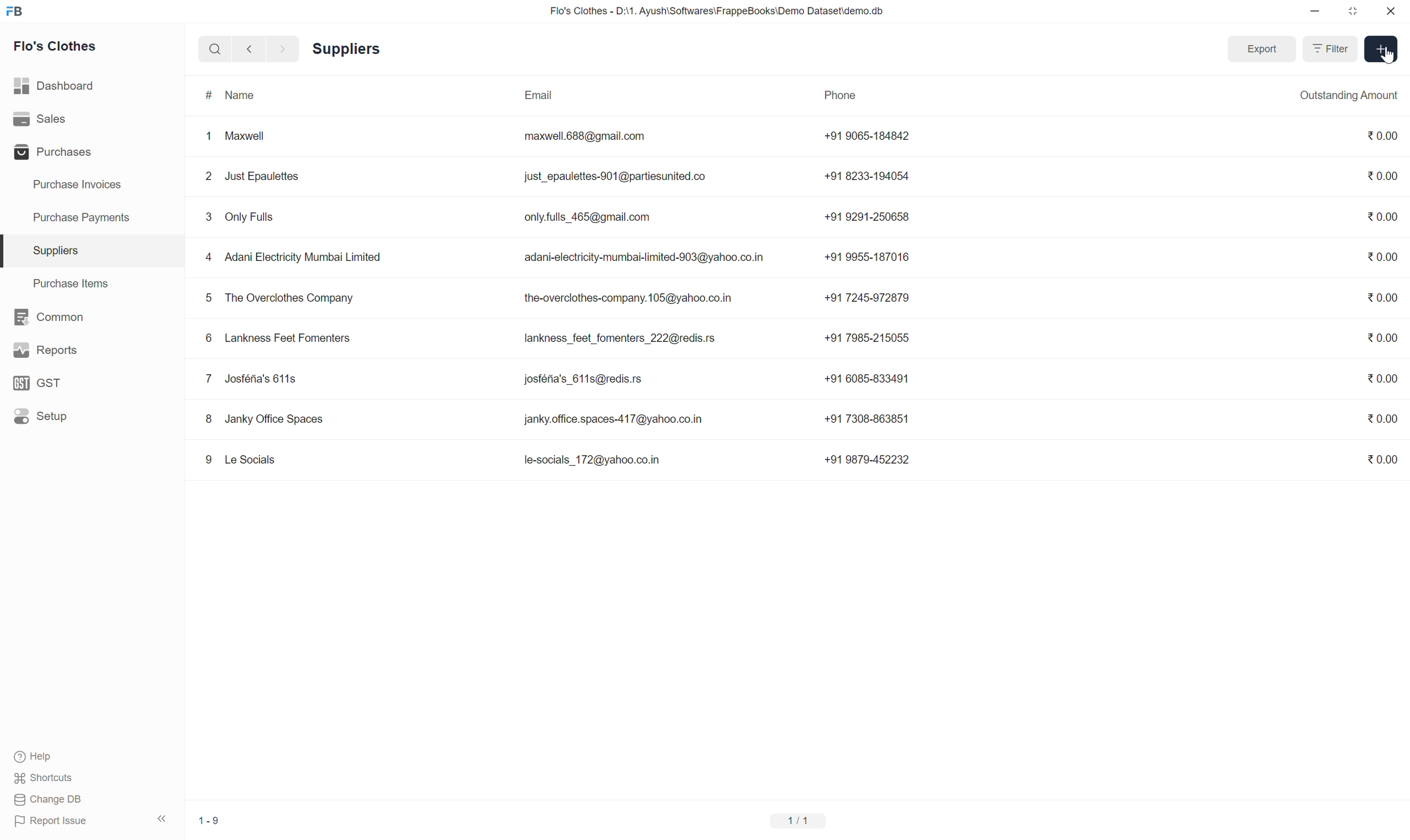  Describe the element at coordinates (53, 821) in the screenshot. I see `Report Issue` at that location.